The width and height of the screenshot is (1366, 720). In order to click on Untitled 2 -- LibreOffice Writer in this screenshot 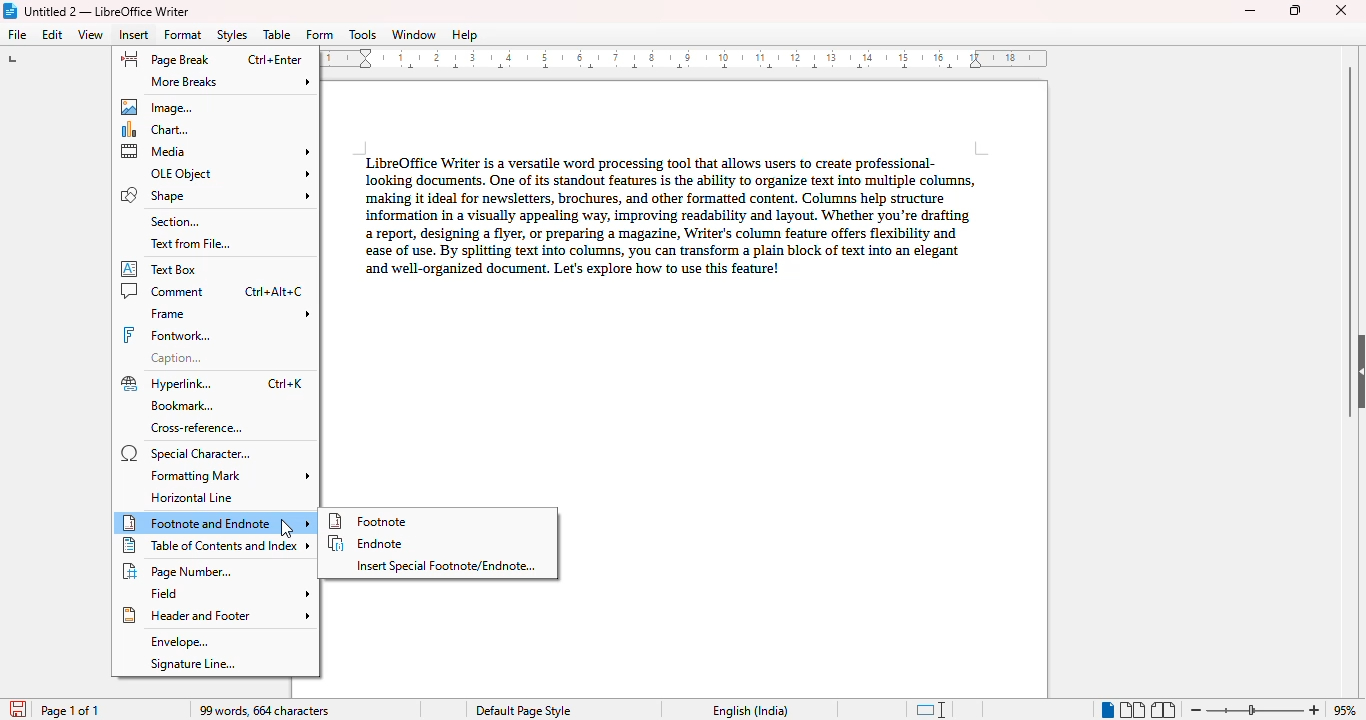, I will do `click(109, 11)`.